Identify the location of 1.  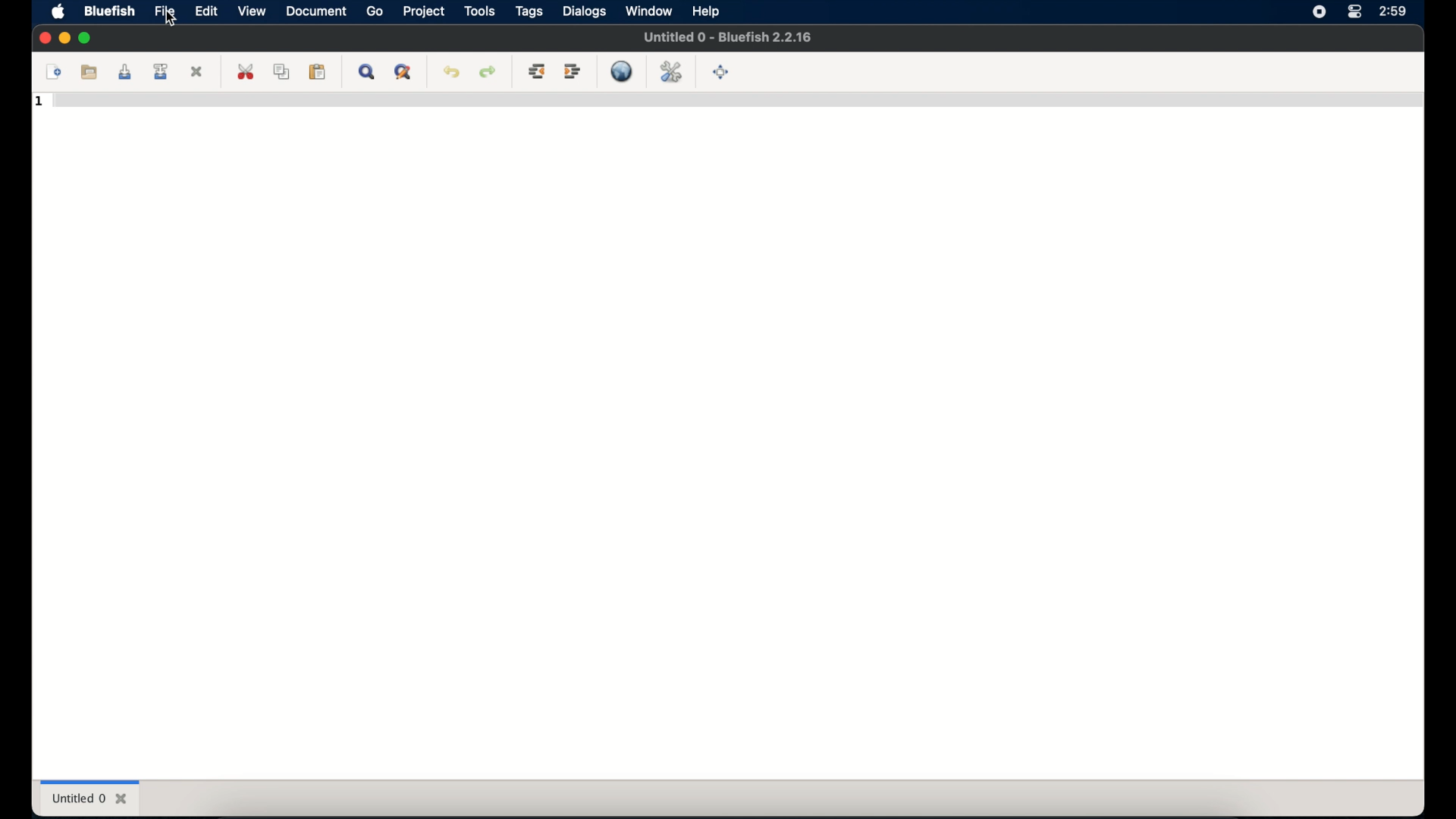
(39, 102).